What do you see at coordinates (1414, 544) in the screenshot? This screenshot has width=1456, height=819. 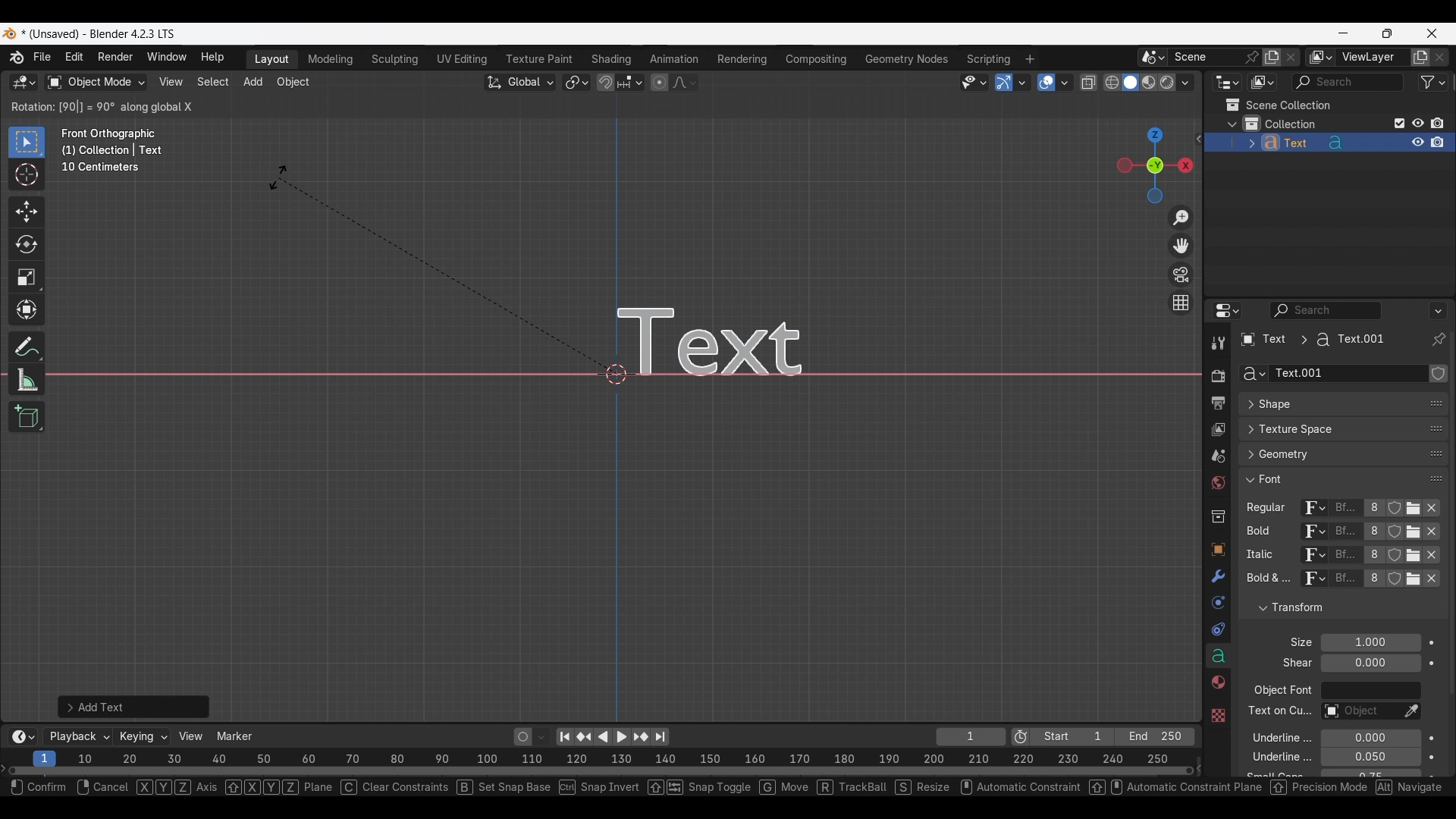 I see `Open Font for respective attribute` at bounding box center [1414, 544].